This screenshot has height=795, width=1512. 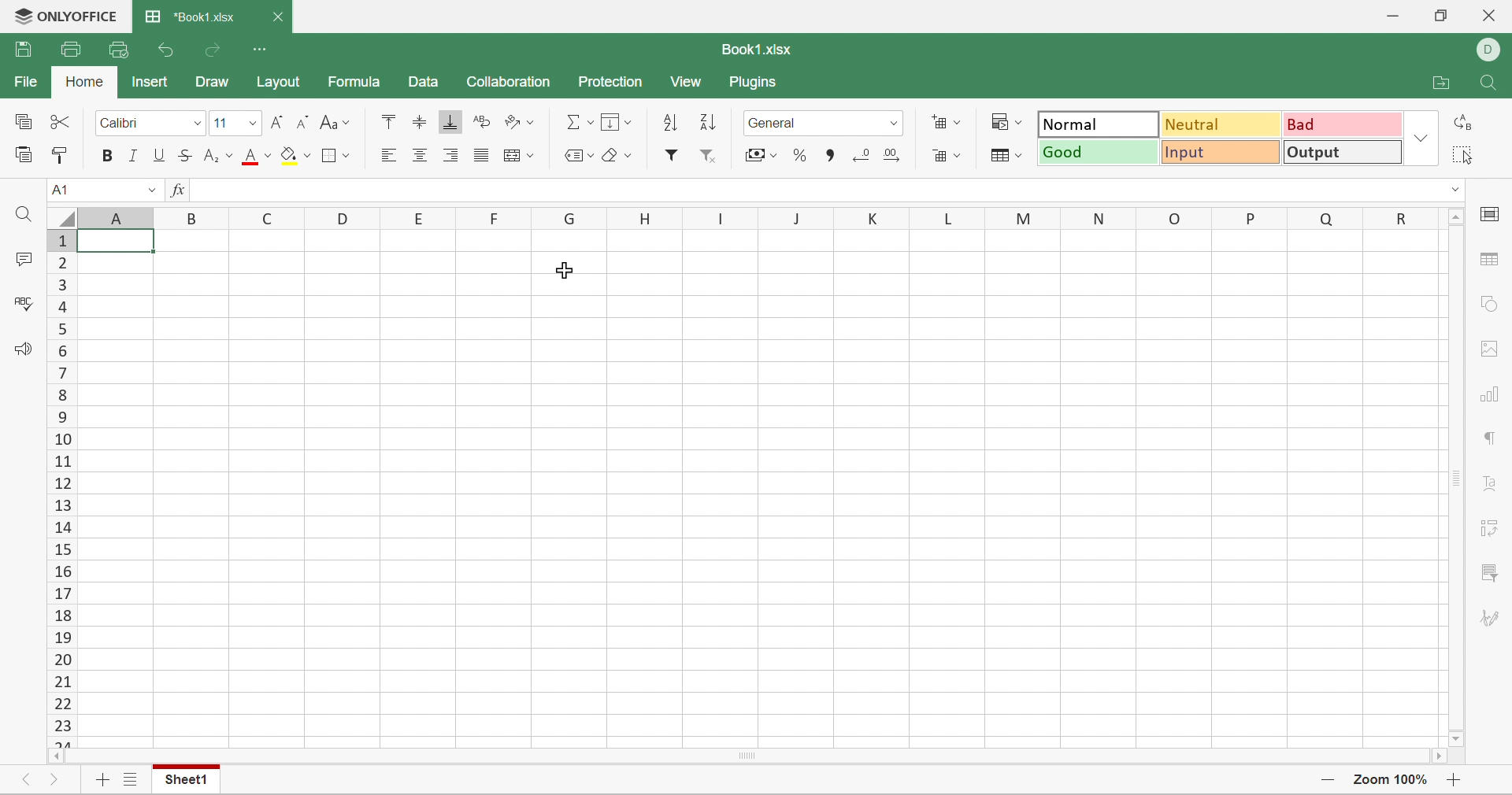 What do you see at coordinates (1491, 571) in the screenshot?
I see `Filter settings` at bounding box center [1491, 571].